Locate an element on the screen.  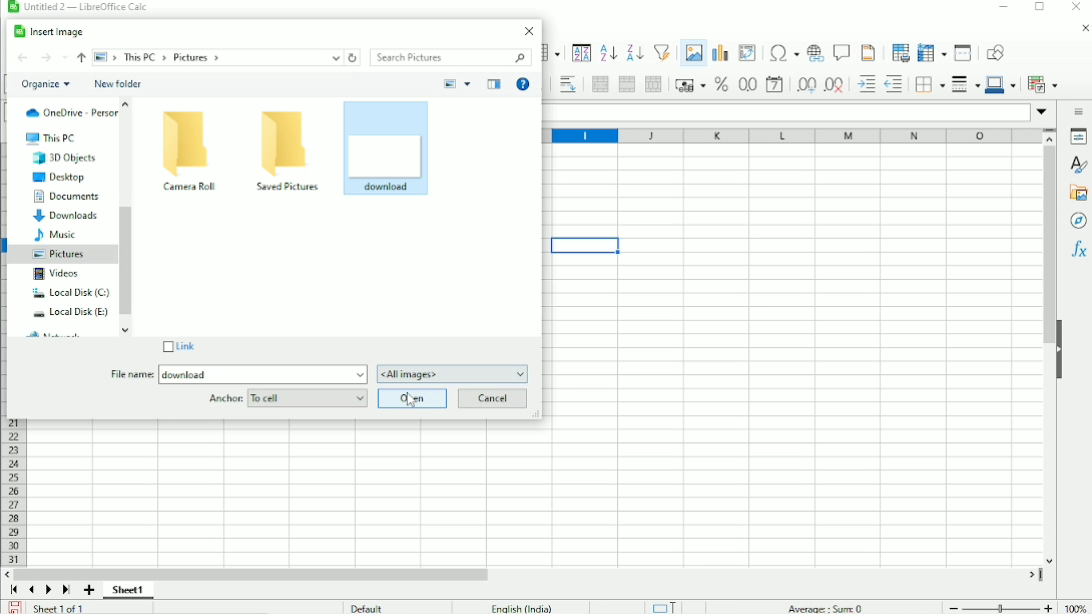
3D Objects is located at coordinates (63, 158).